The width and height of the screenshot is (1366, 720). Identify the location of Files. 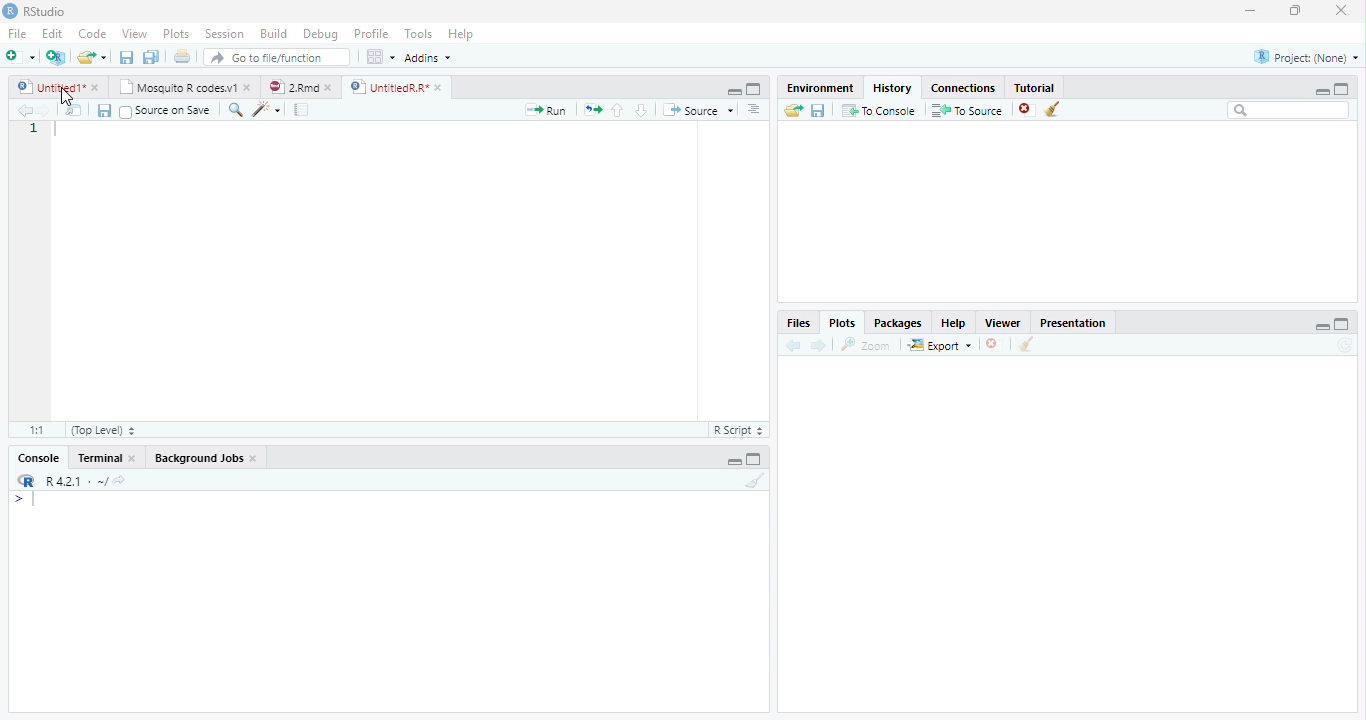
(802, 323).